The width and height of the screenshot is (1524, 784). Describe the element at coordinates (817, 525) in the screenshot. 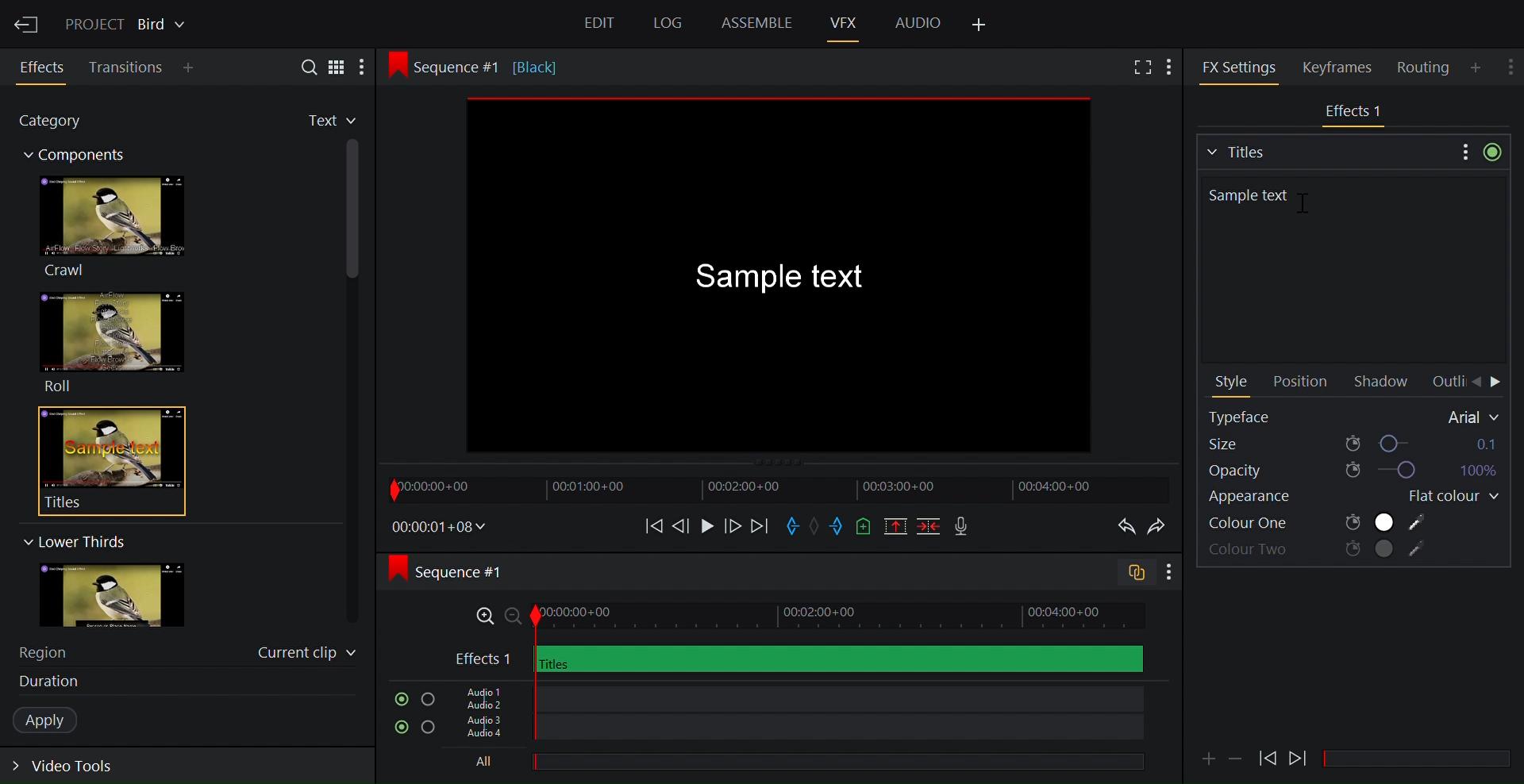

I see `Clear marks` at that location.